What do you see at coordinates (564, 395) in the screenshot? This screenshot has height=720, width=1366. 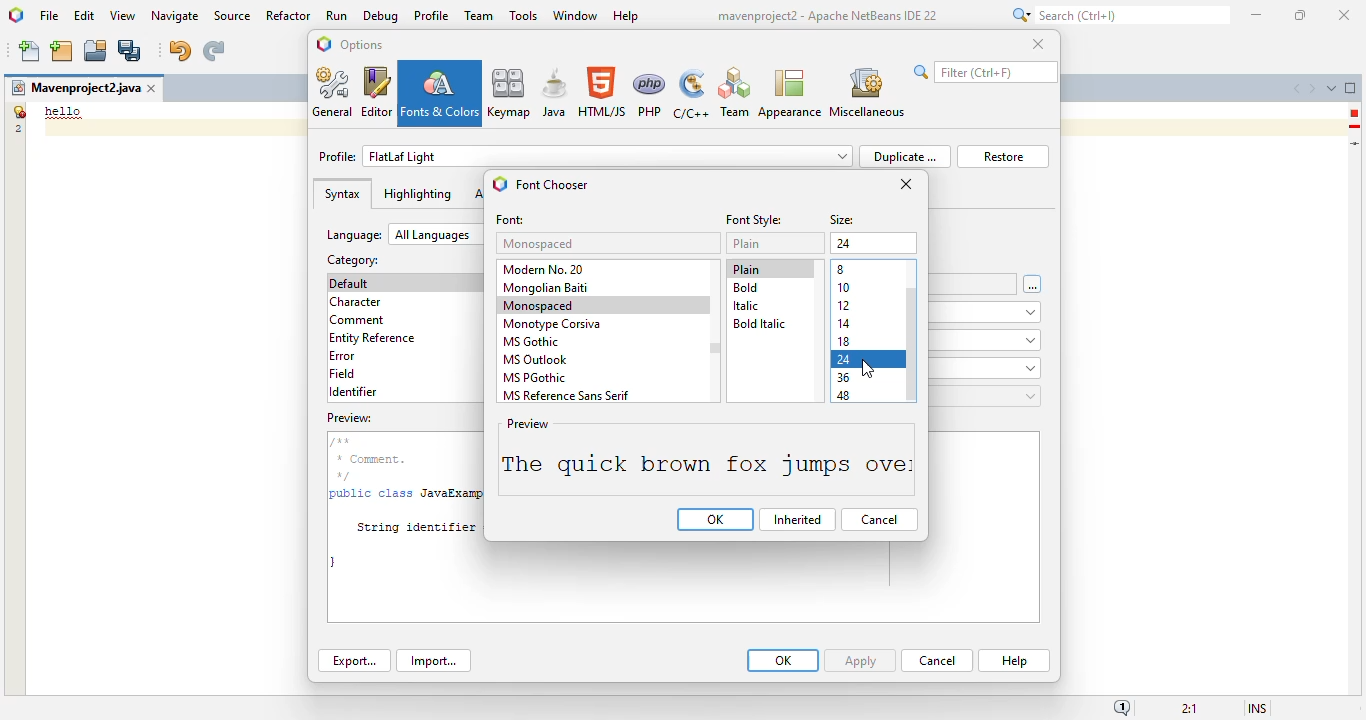 I see `MS reference sans serif` at bounding box center [564, 395].